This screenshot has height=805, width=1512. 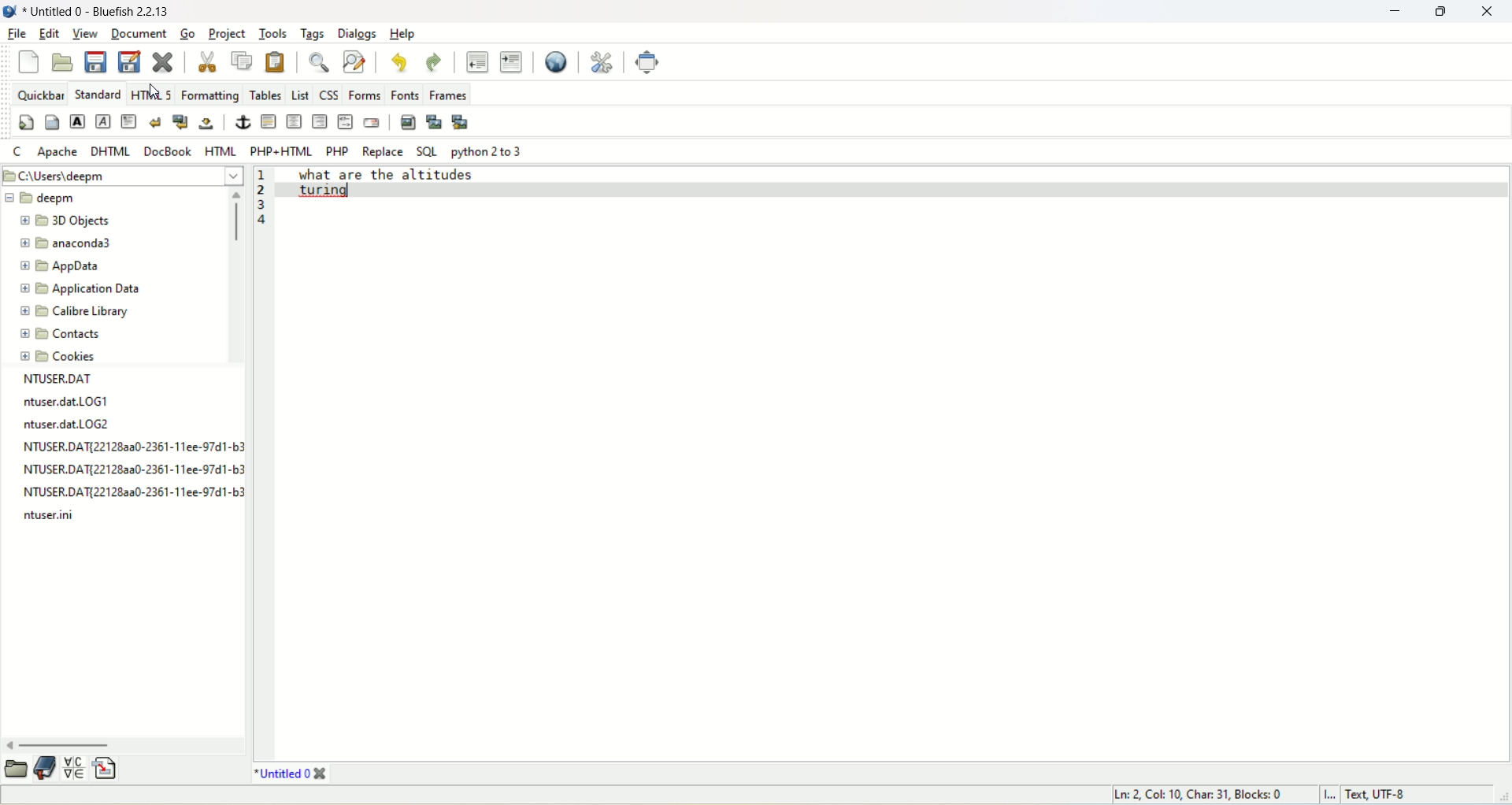 I want to click on HTML, so click(x=220, y=152).